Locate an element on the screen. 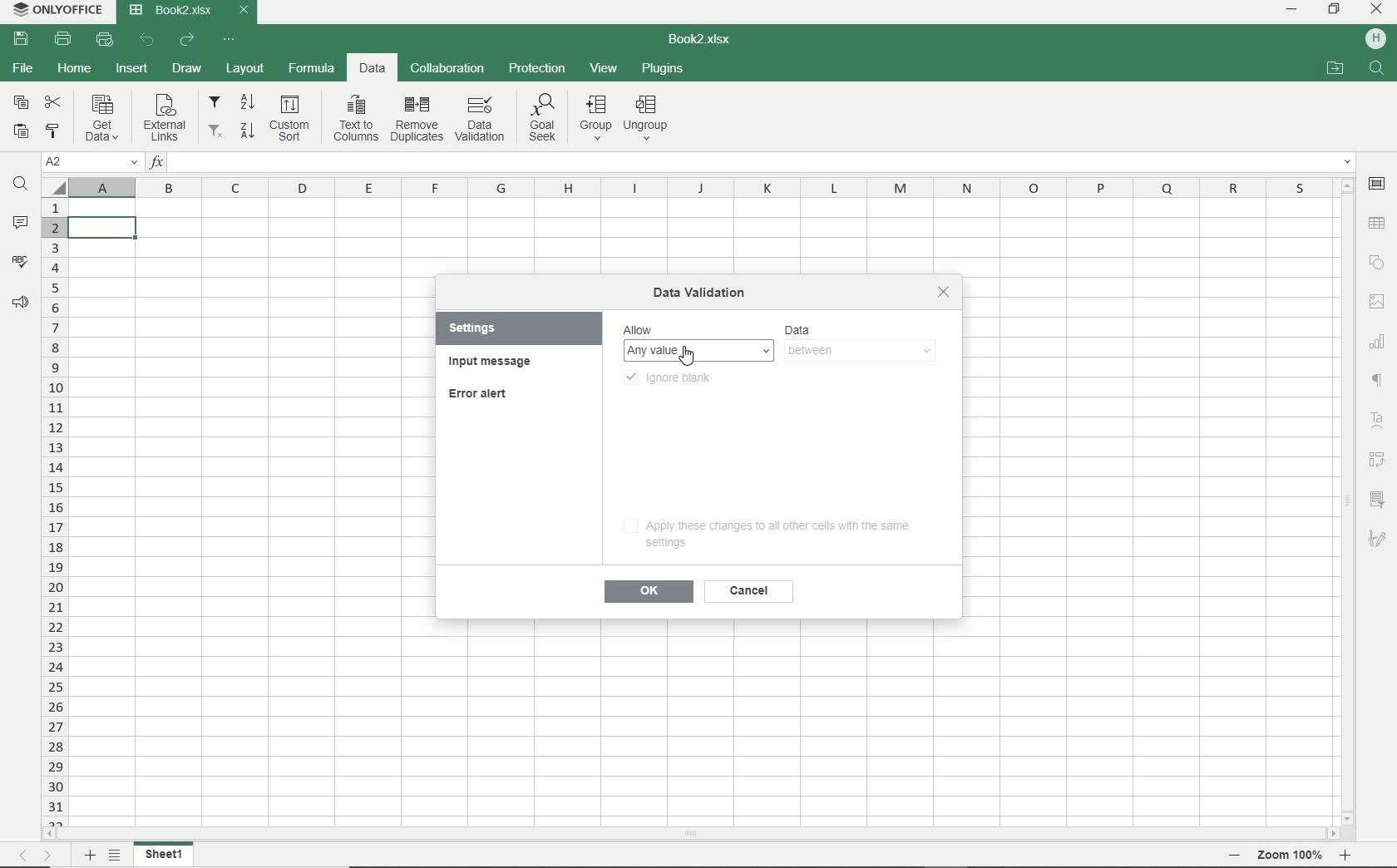 Image resolution: width=1397 pixels, height=868 pixels. SCROLLBAR is located at coordinates (688, 831).